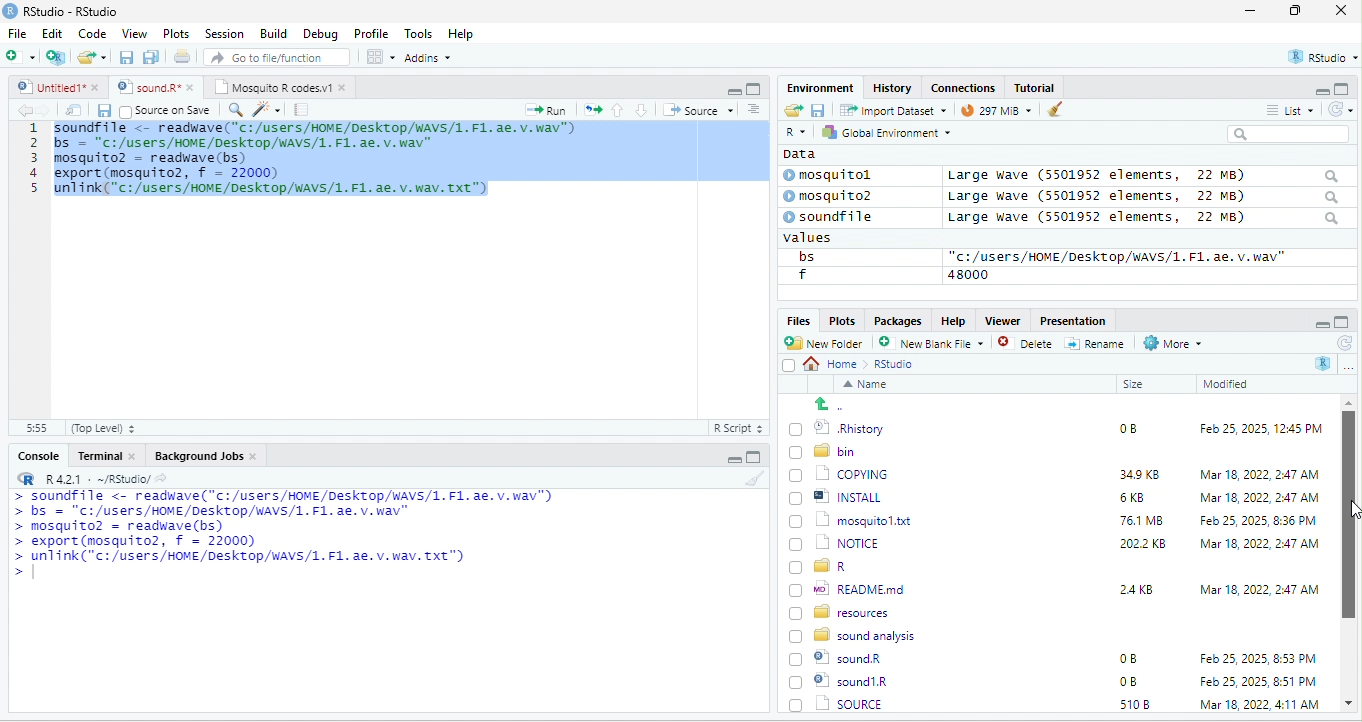 This screenshot has height=722, width=1362. I want to click on search, so click(235, 108).